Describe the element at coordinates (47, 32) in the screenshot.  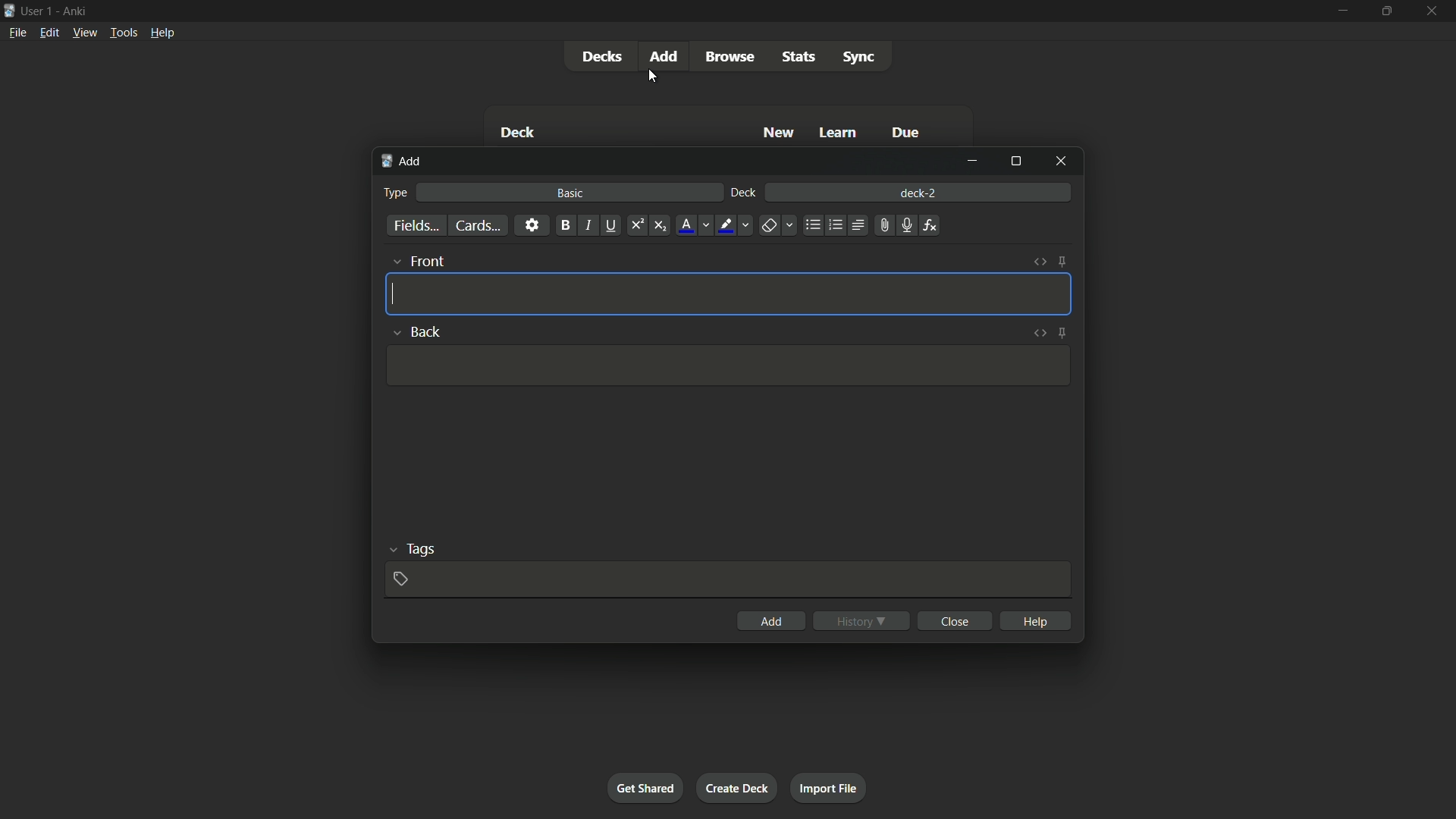
I see `edit menu` at that location.